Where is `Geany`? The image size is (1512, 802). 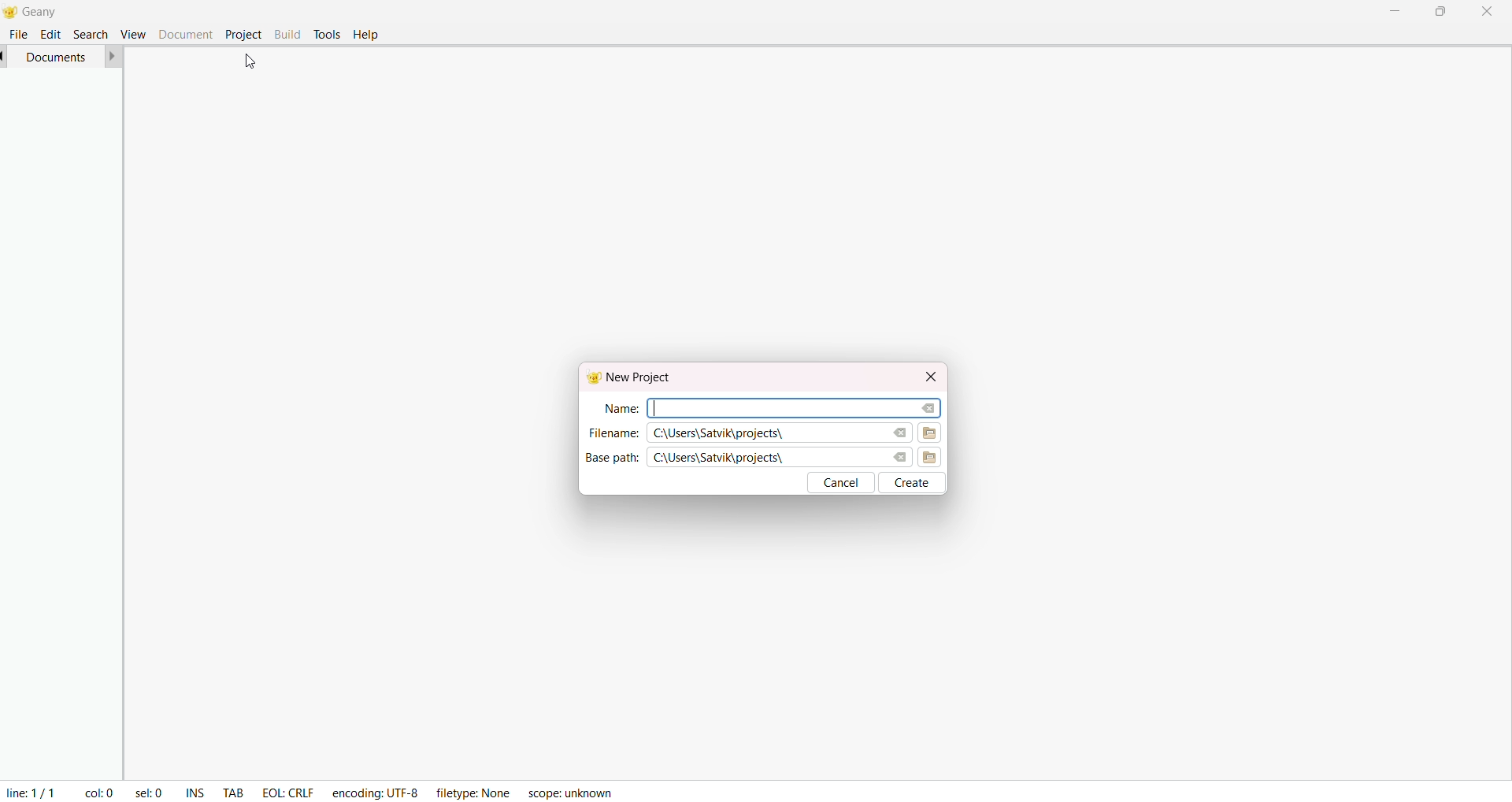
Geany is located at coordinates (54, 9).